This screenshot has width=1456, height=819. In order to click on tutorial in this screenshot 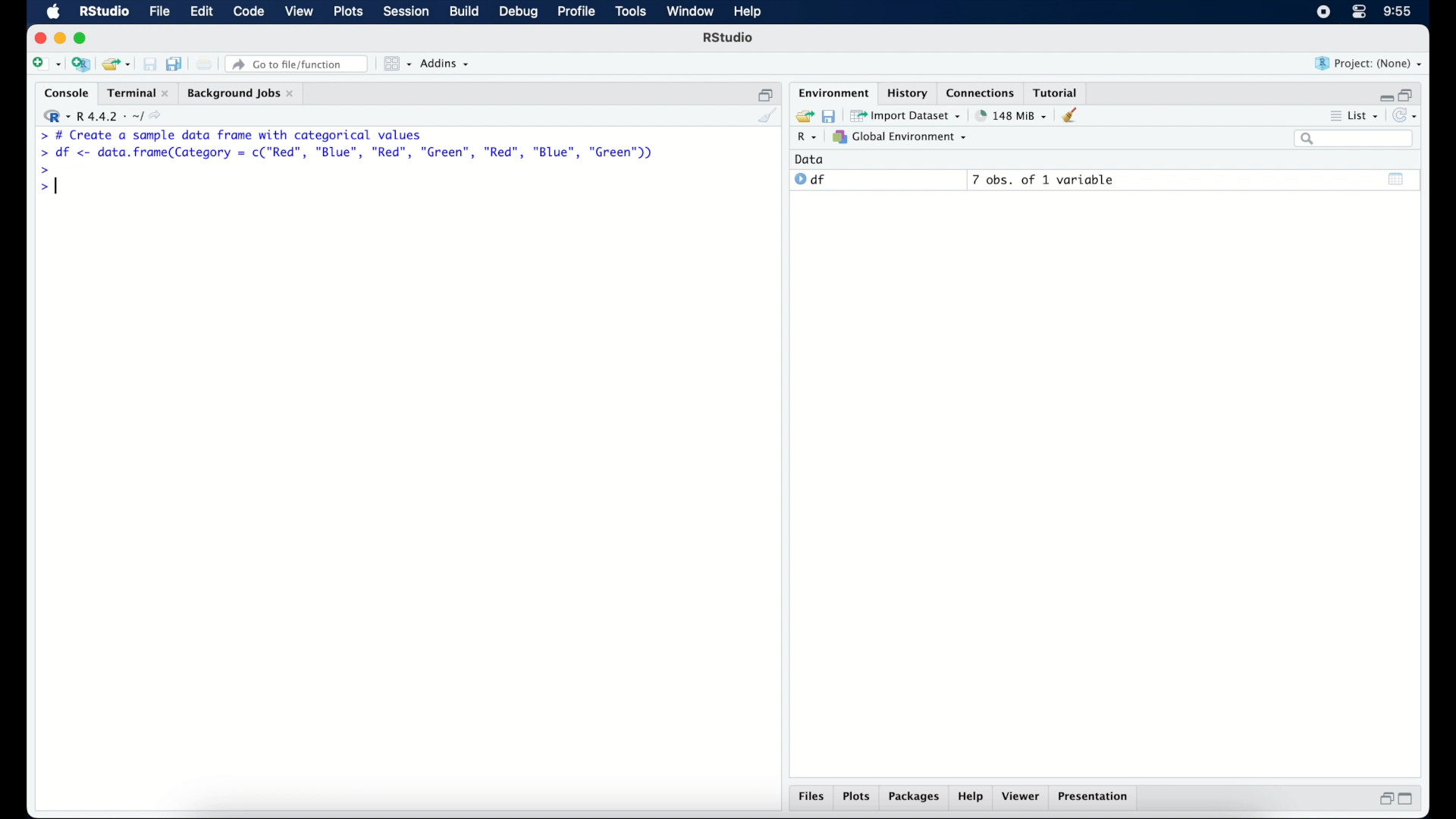, I will do `click(1059, 92)`.